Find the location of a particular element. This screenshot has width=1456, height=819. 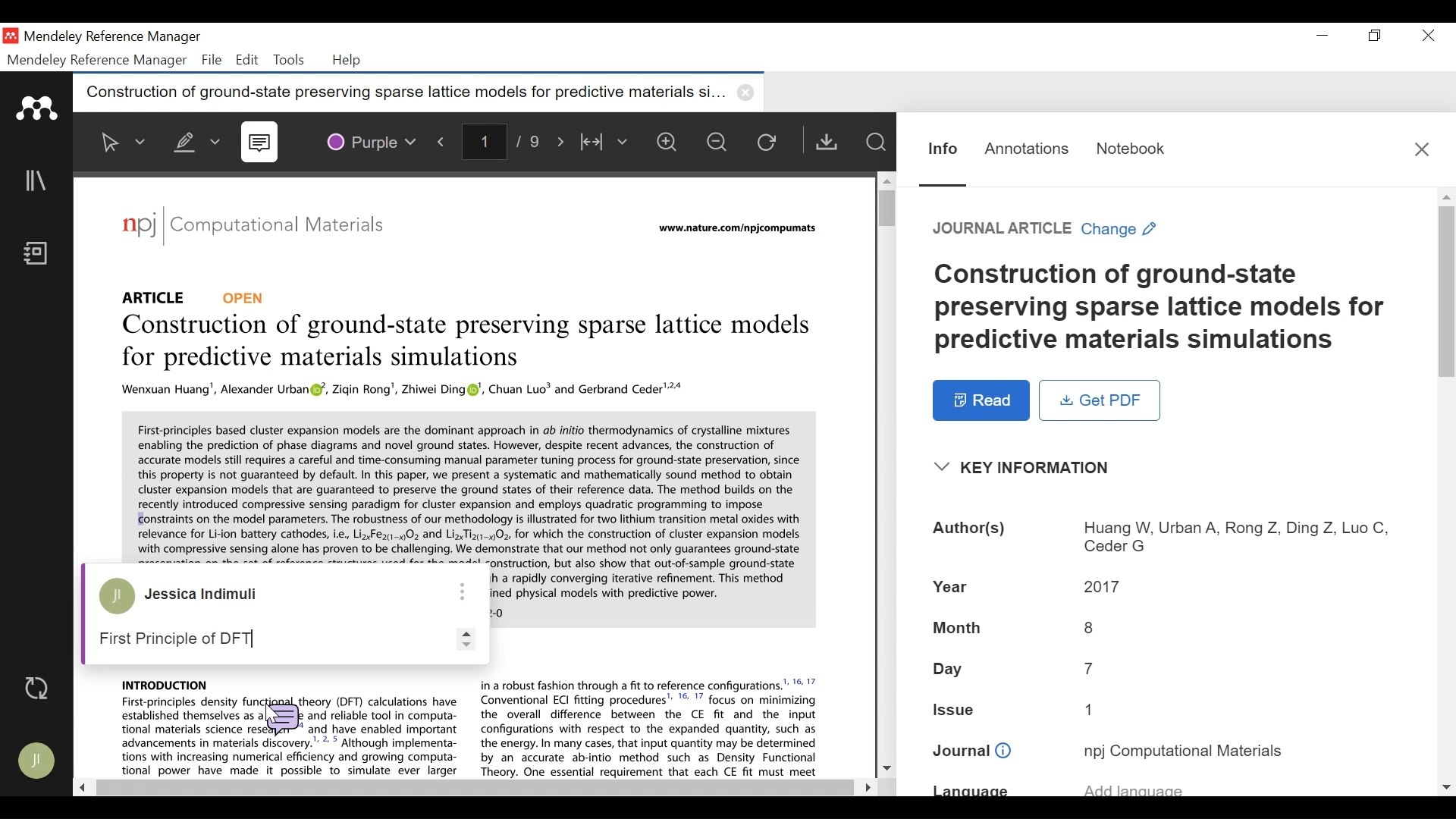

Get PDF is located at coordinates (830, 142).